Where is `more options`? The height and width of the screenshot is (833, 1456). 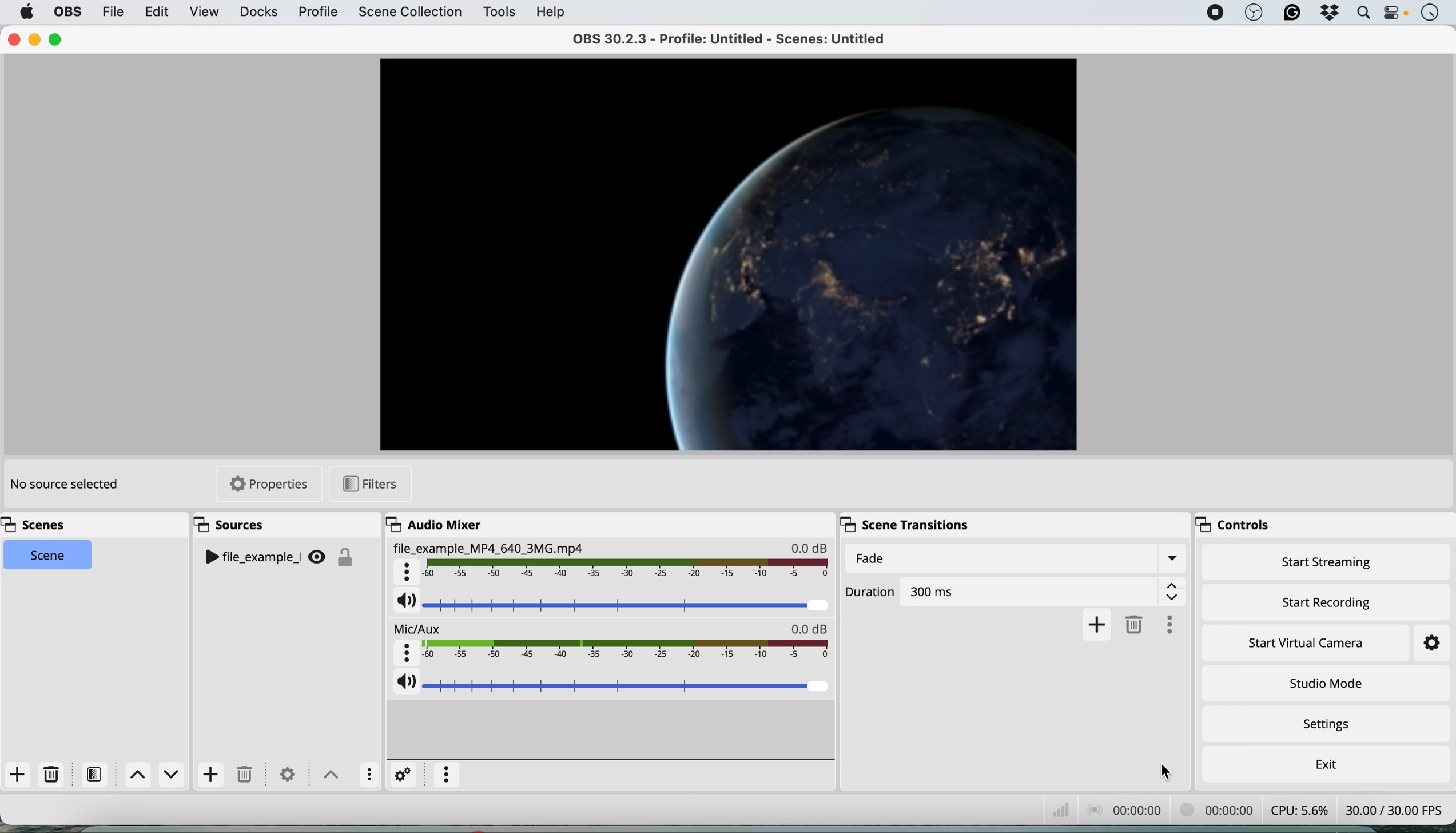 more options is located at coordinates (447, 775).